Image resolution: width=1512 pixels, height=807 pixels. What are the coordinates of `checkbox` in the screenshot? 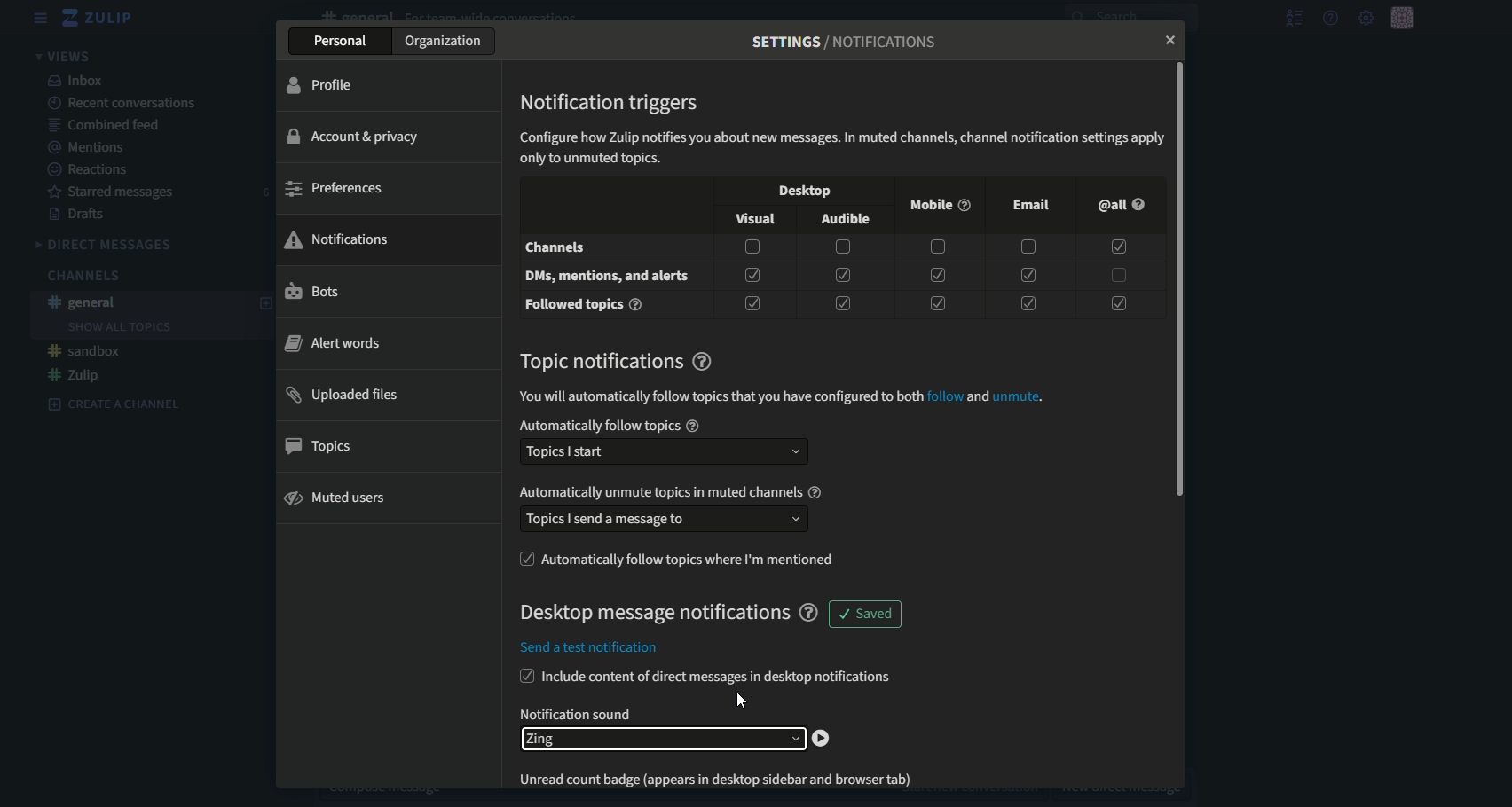 It's located at (524, 676).